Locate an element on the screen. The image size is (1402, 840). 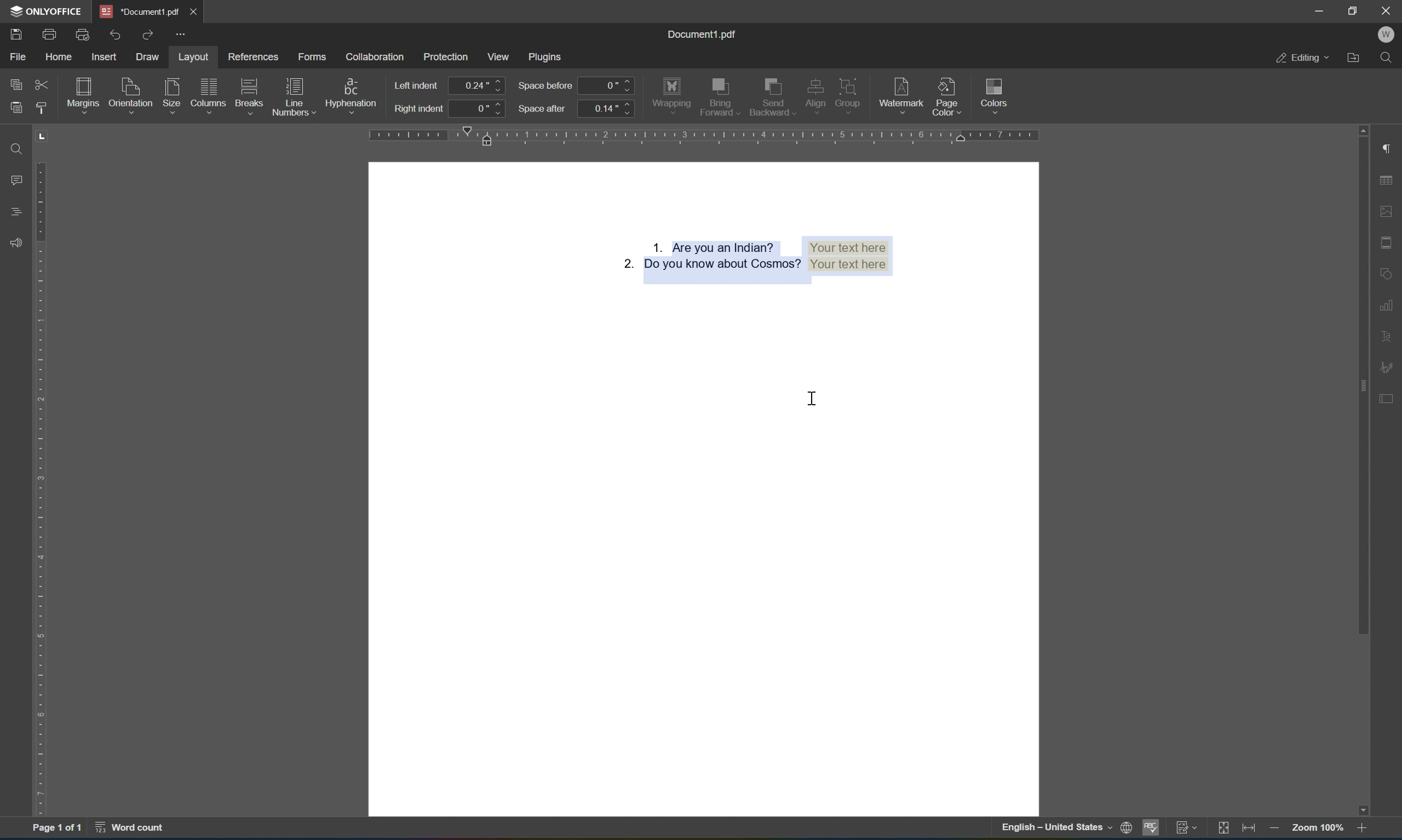
paste is located at coordinates (18, 107).